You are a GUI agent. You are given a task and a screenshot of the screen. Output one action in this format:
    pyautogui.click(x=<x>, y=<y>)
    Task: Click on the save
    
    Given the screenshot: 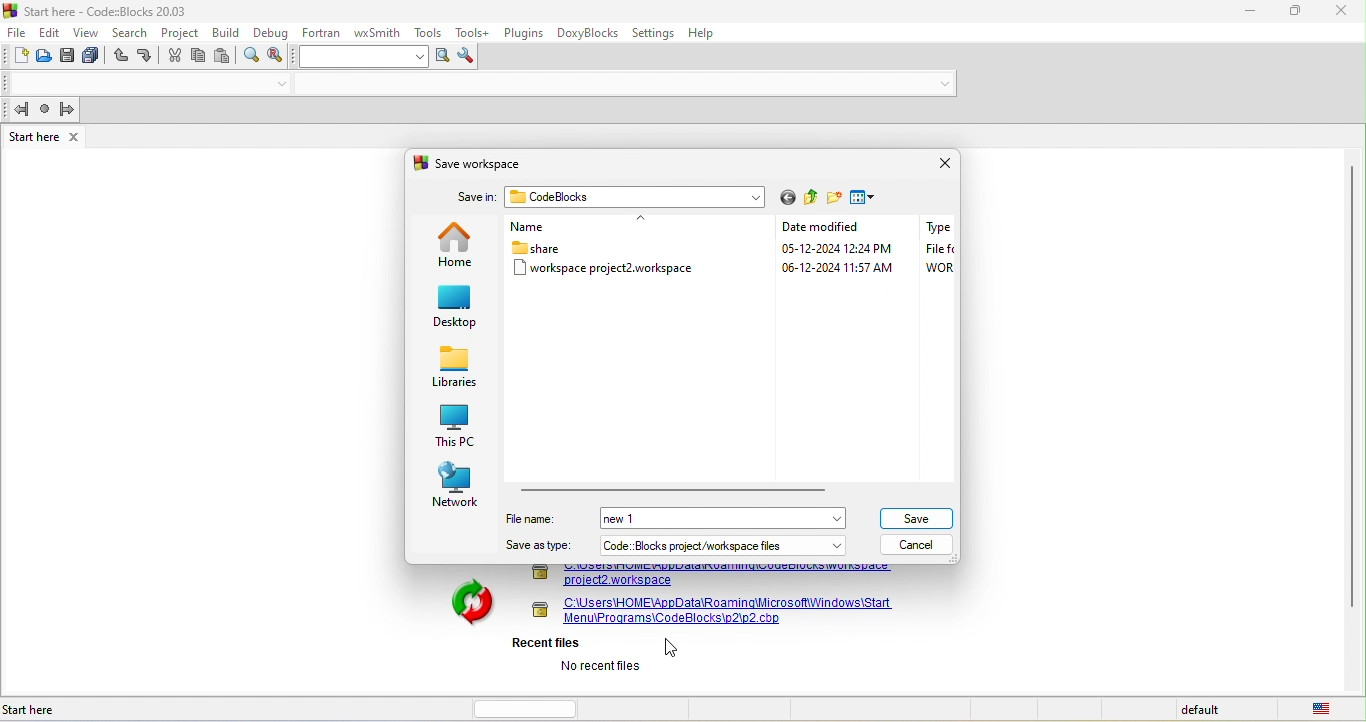 What is the action you would take?
    pyautogui.click(x=918, y=516)
    